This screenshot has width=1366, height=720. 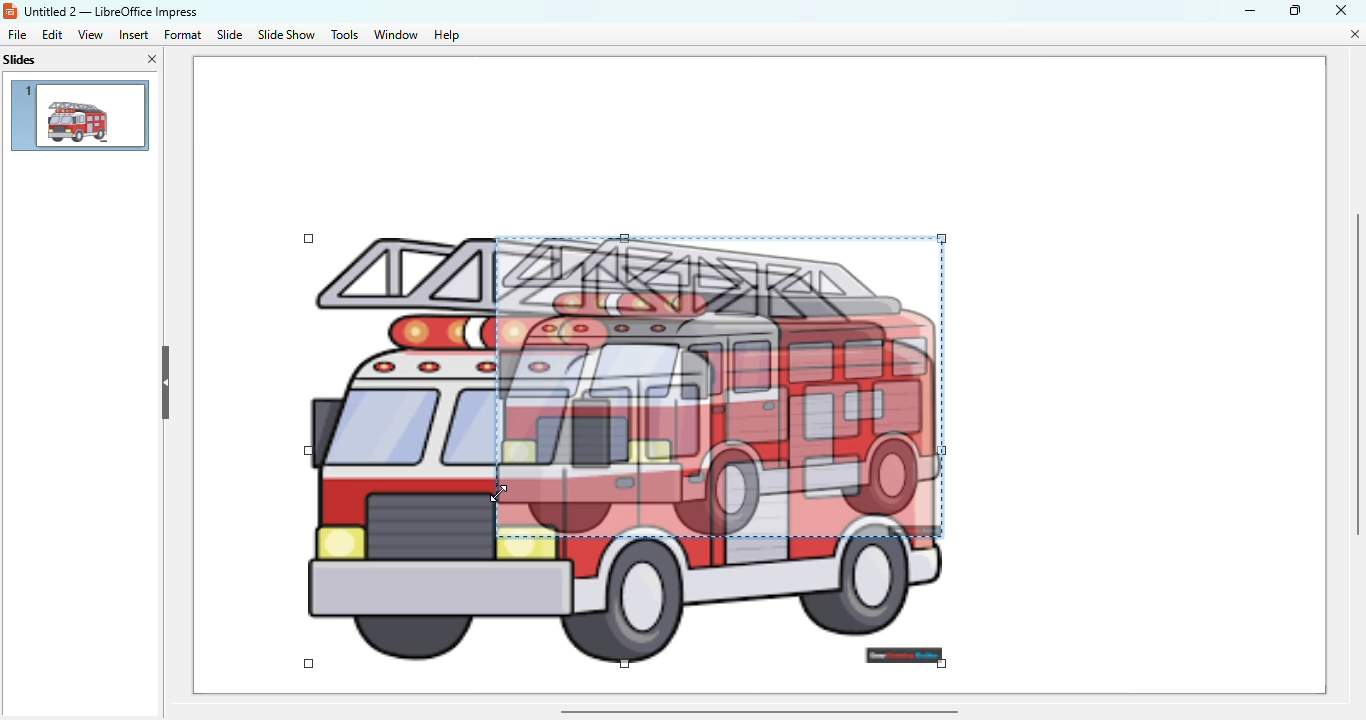 I want to click on close, so click(x=1342, y=9).